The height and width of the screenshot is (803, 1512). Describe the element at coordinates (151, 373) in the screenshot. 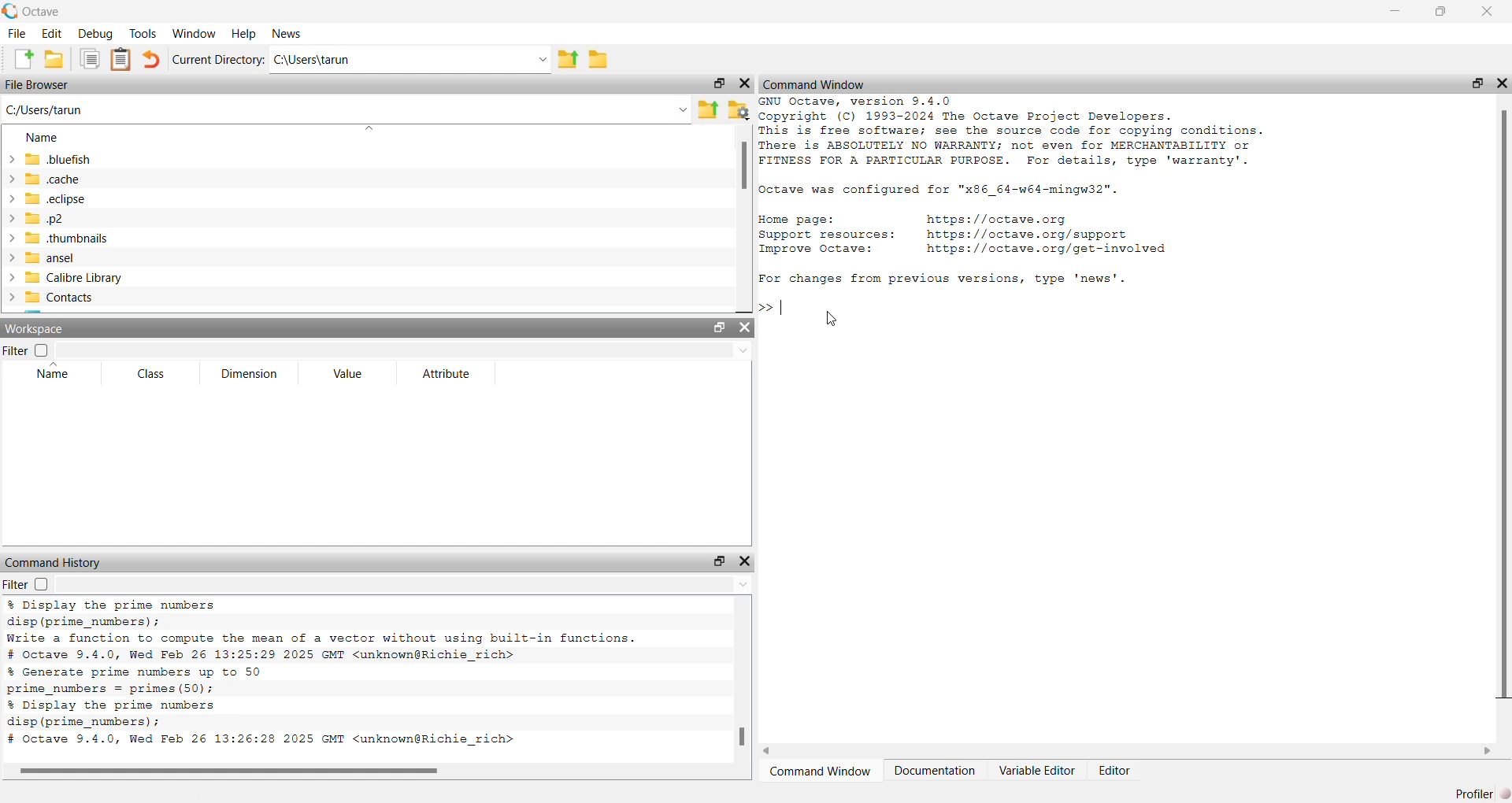

I see `Class` at that location.